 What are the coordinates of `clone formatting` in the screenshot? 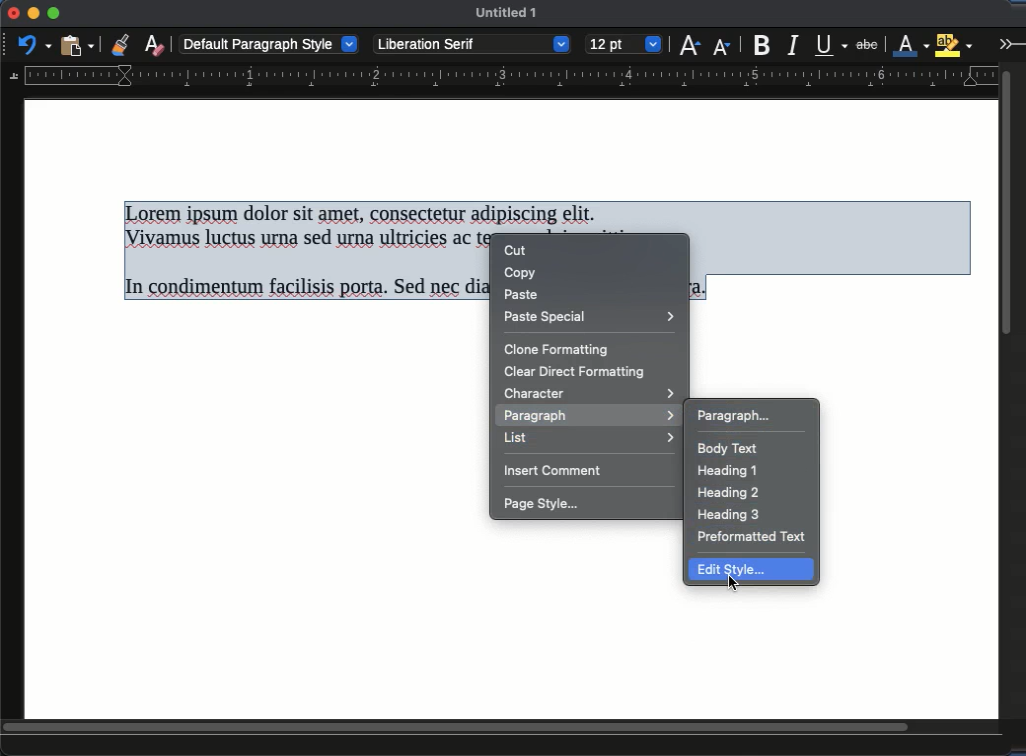 It's located at (120, 44).